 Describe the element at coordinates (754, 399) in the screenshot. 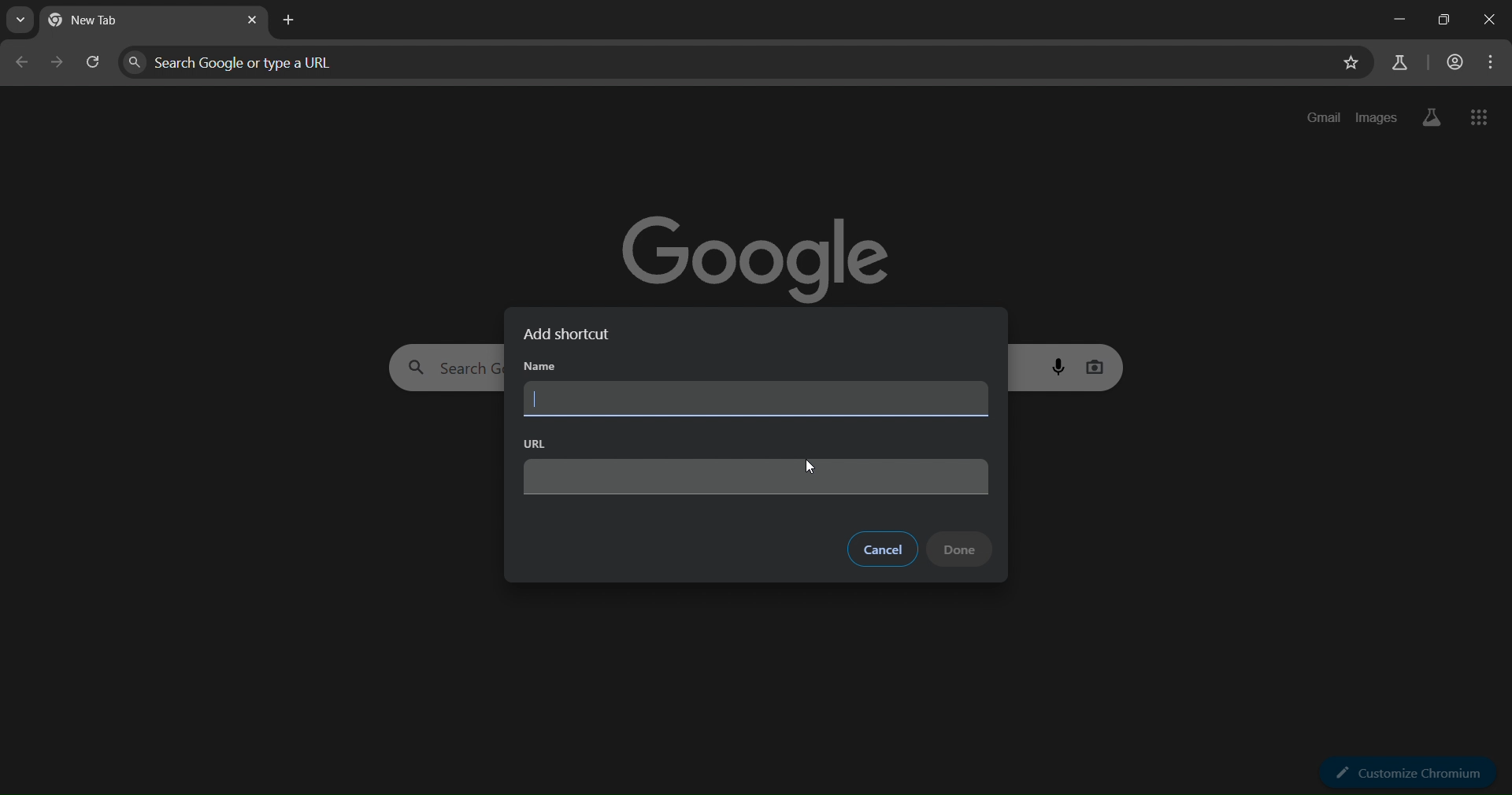

I see `add name` at that location.